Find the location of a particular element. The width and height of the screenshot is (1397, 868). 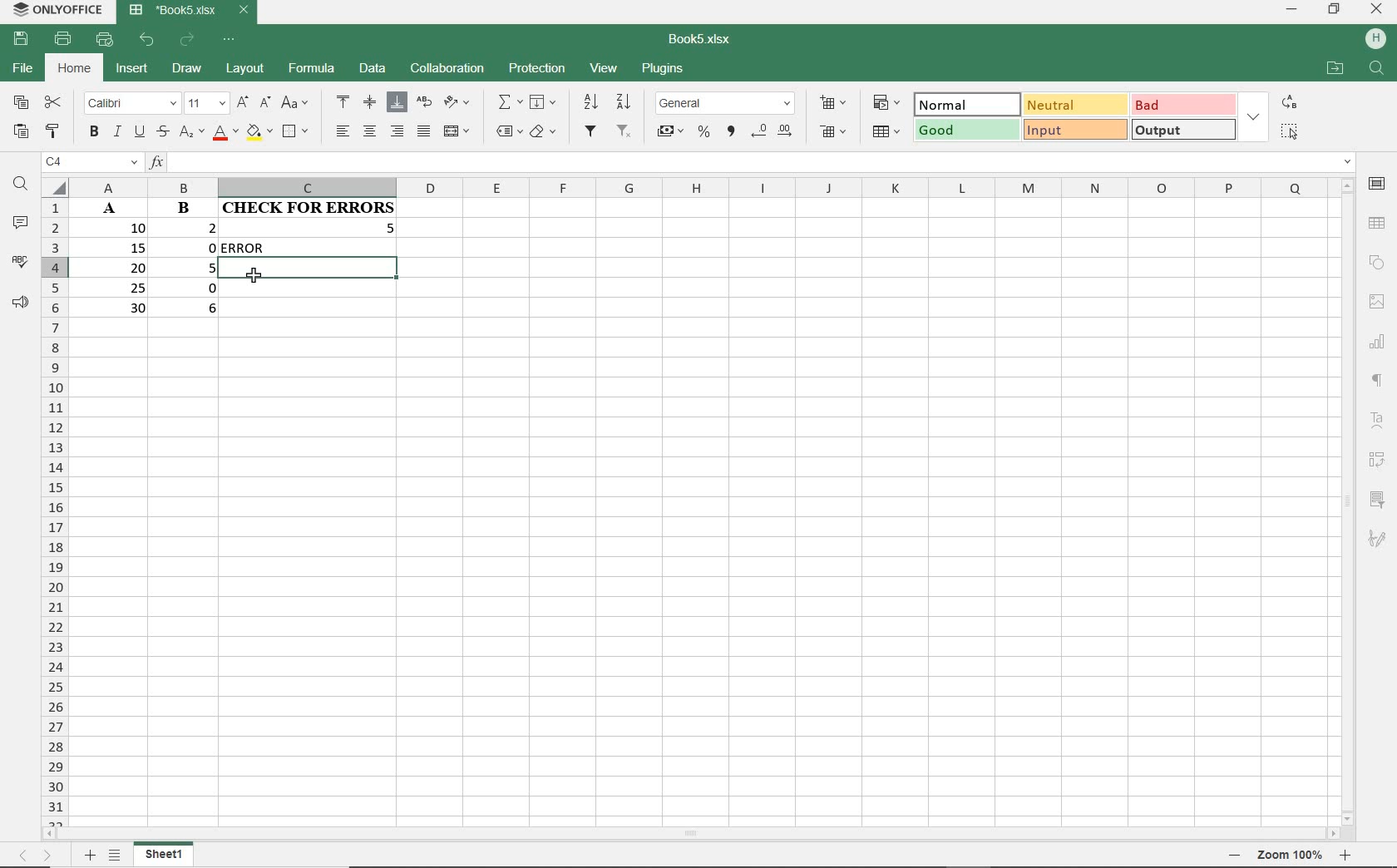

PIVOT TABLE is located at coordinates (1375, 461).